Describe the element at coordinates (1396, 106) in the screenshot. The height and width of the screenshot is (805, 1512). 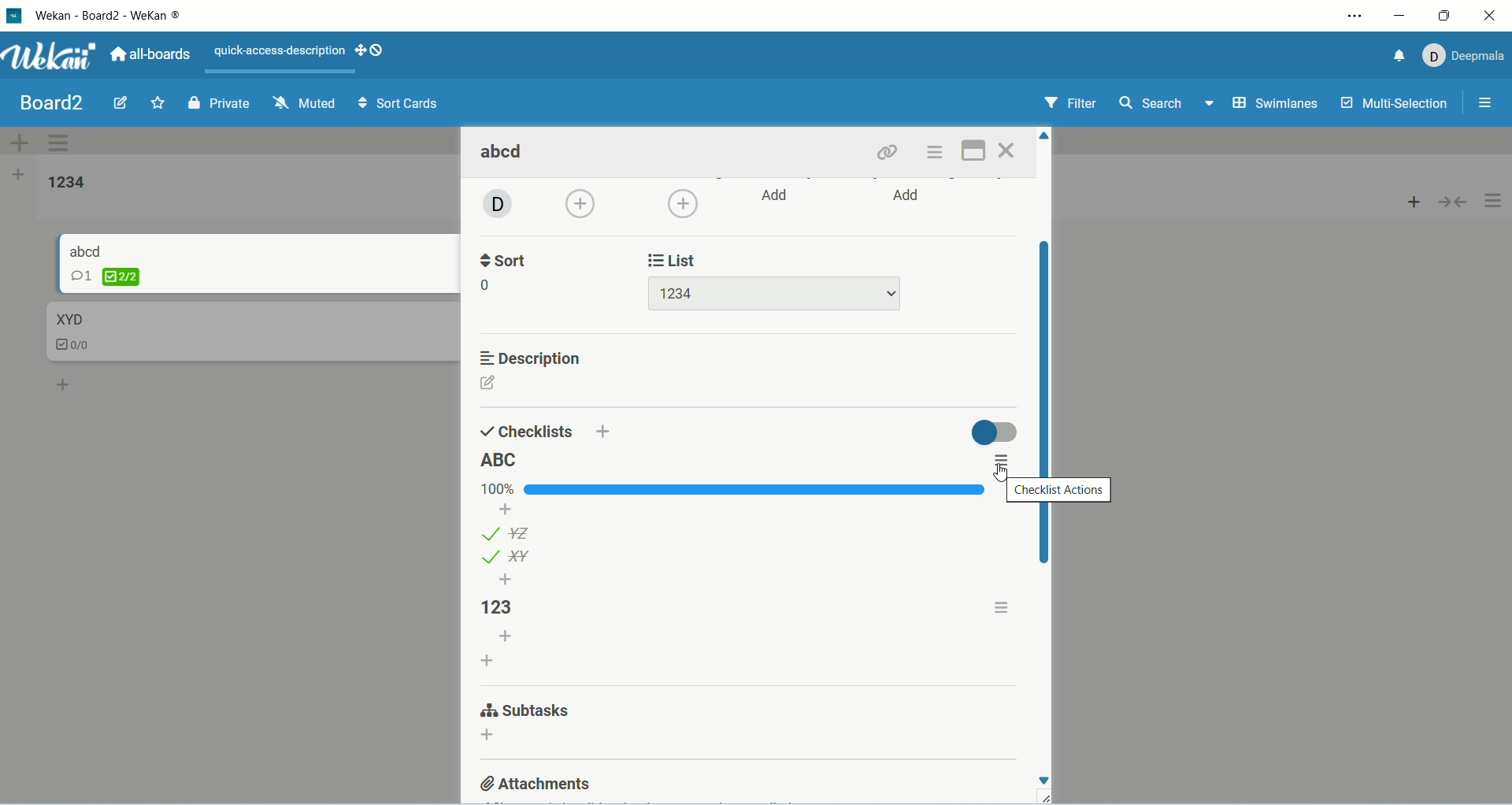
I see `multi-selection` at that location.